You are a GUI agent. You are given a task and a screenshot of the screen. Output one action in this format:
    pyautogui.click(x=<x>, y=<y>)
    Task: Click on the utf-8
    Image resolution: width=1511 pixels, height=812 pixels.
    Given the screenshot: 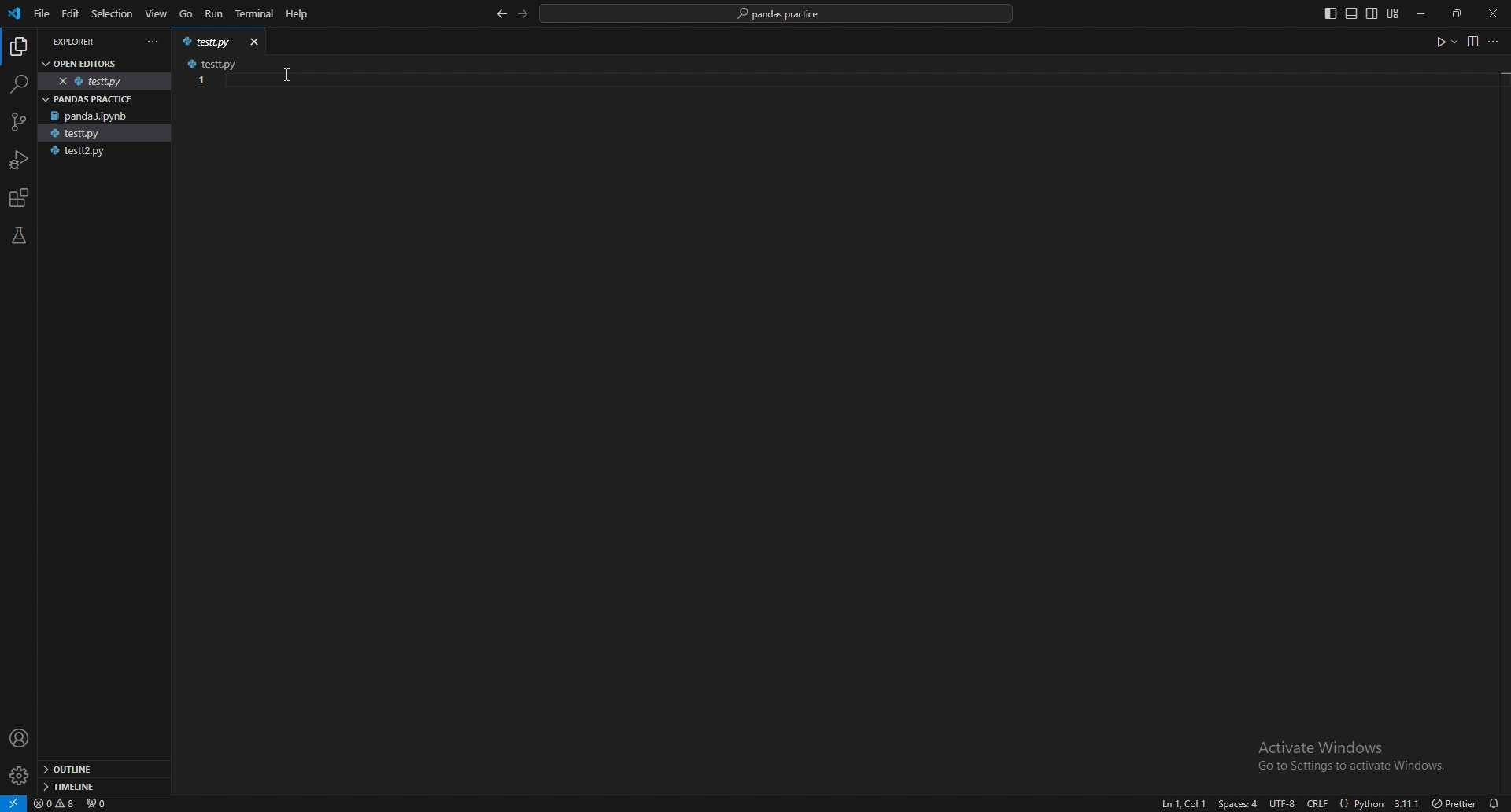 What is the action you would take?
    pyautogui.click(x=1280, y=803)
    